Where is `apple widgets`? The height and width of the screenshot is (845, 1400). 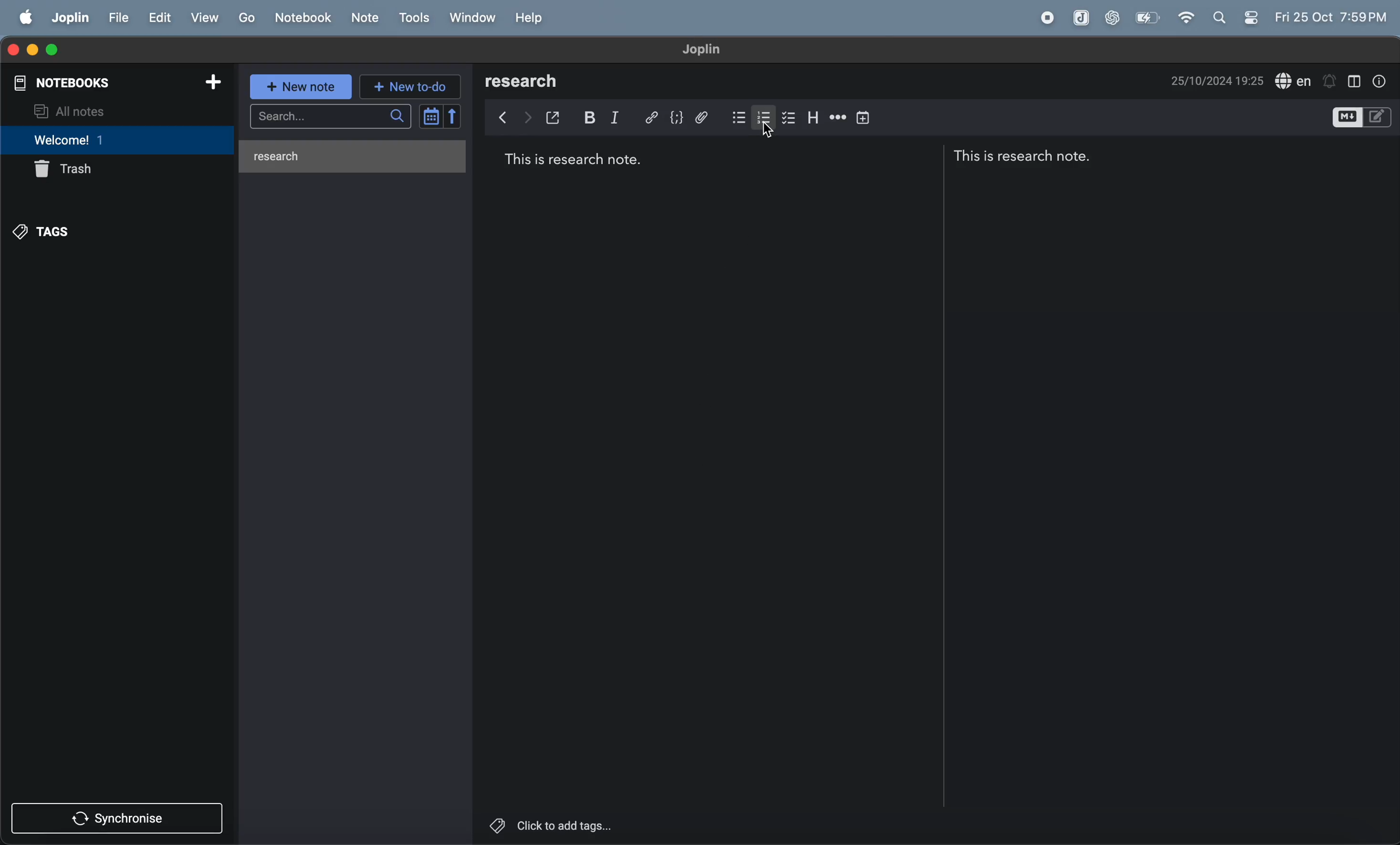 apple widgets is located at coordinates (1218, 18).